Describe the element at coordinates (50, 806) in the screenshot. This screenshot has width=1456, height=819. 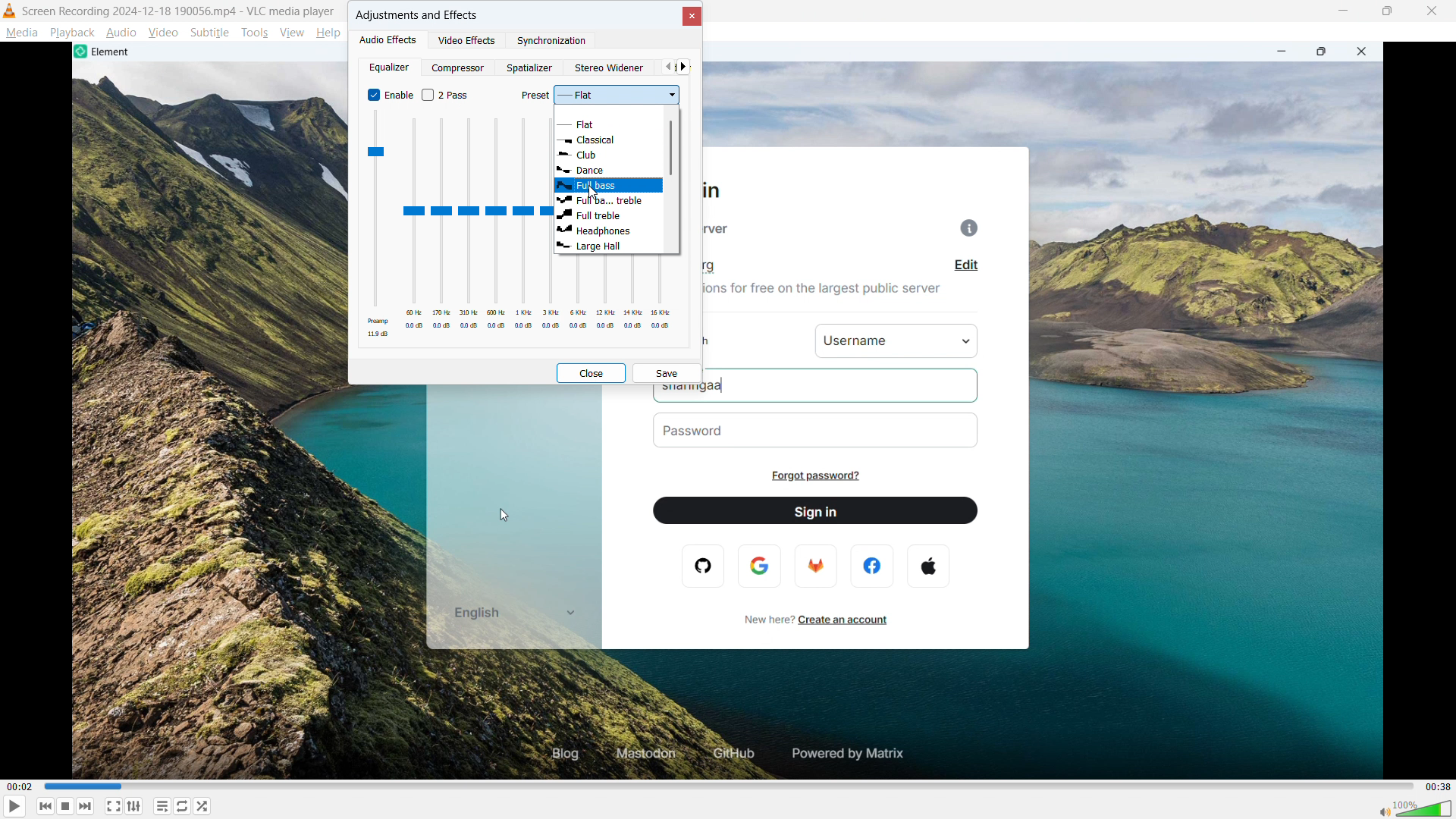
I see `Backward` at that location.